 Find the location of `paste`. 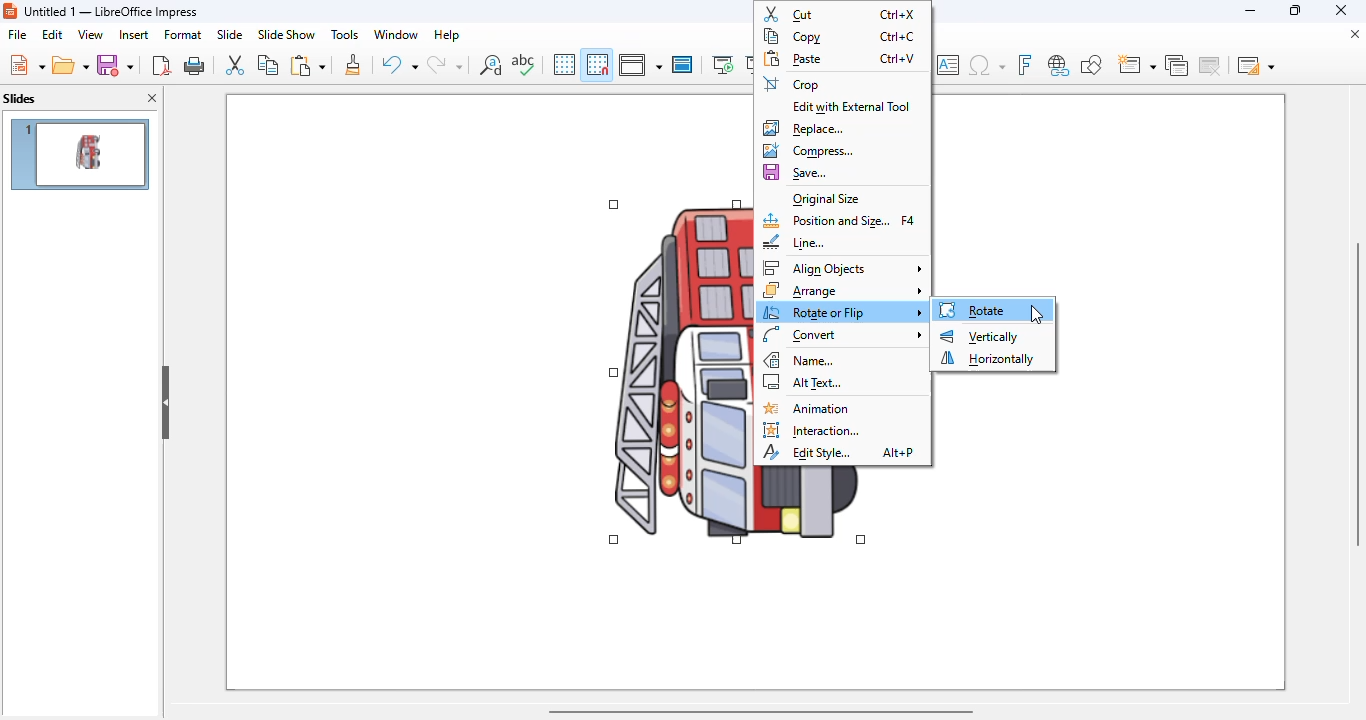

paste is located at coordinates (307, 64).